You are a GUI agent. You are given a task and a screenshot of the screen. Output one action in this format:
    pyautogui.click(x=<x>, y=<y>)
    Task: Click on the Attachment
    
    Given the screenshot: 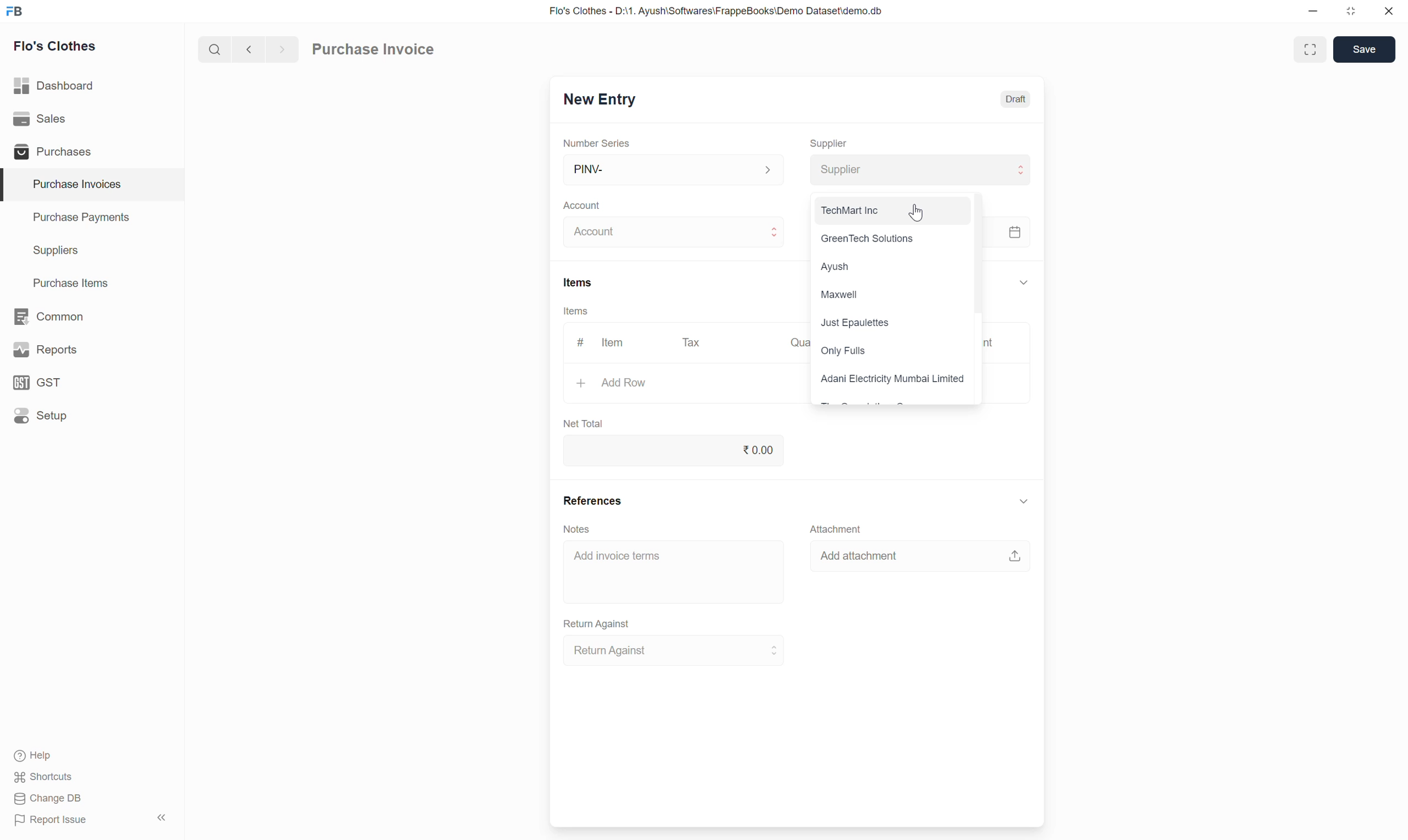 What is the action you would take?
    pyautogui.click(x=836, y=529)
    